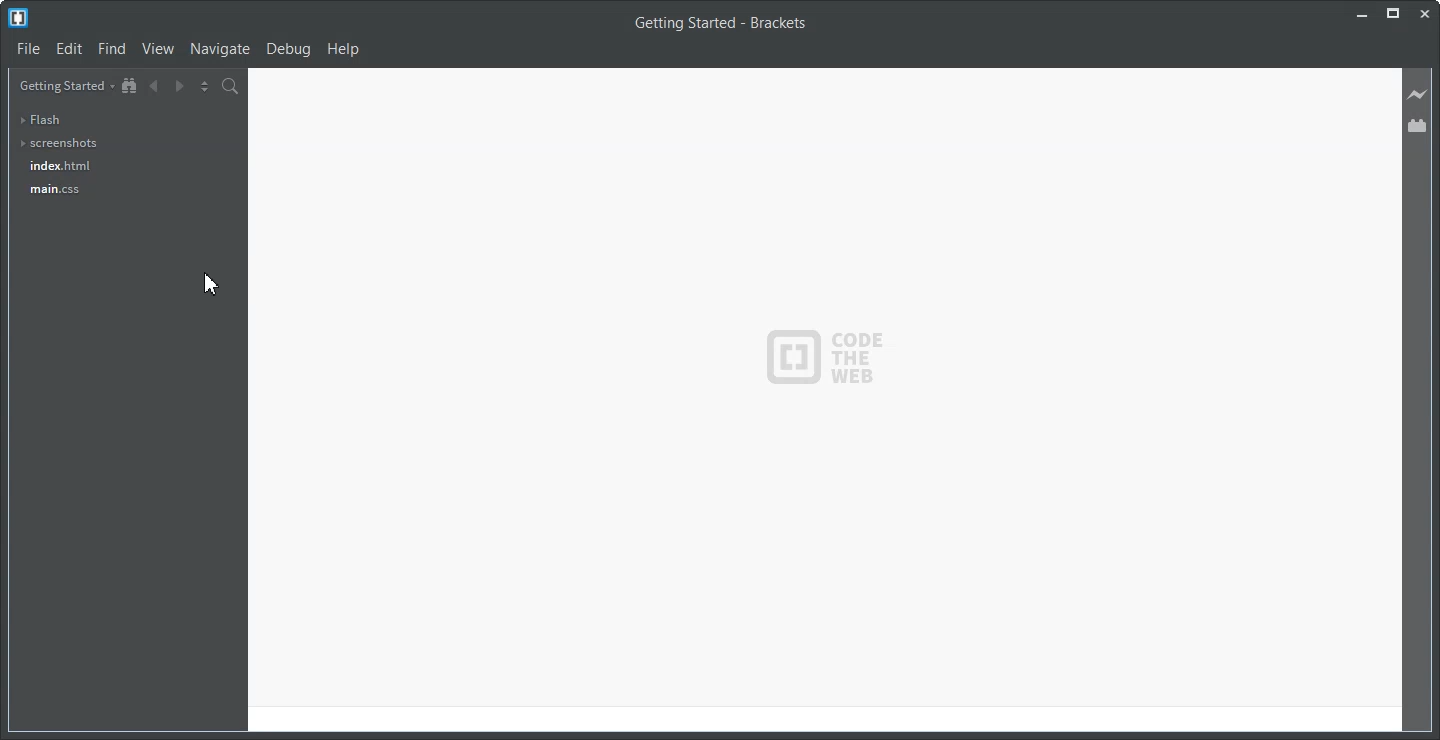 The width and height of the screenshot is (1440, 740). I want to click on Extension Manager, so click(1418, 125).